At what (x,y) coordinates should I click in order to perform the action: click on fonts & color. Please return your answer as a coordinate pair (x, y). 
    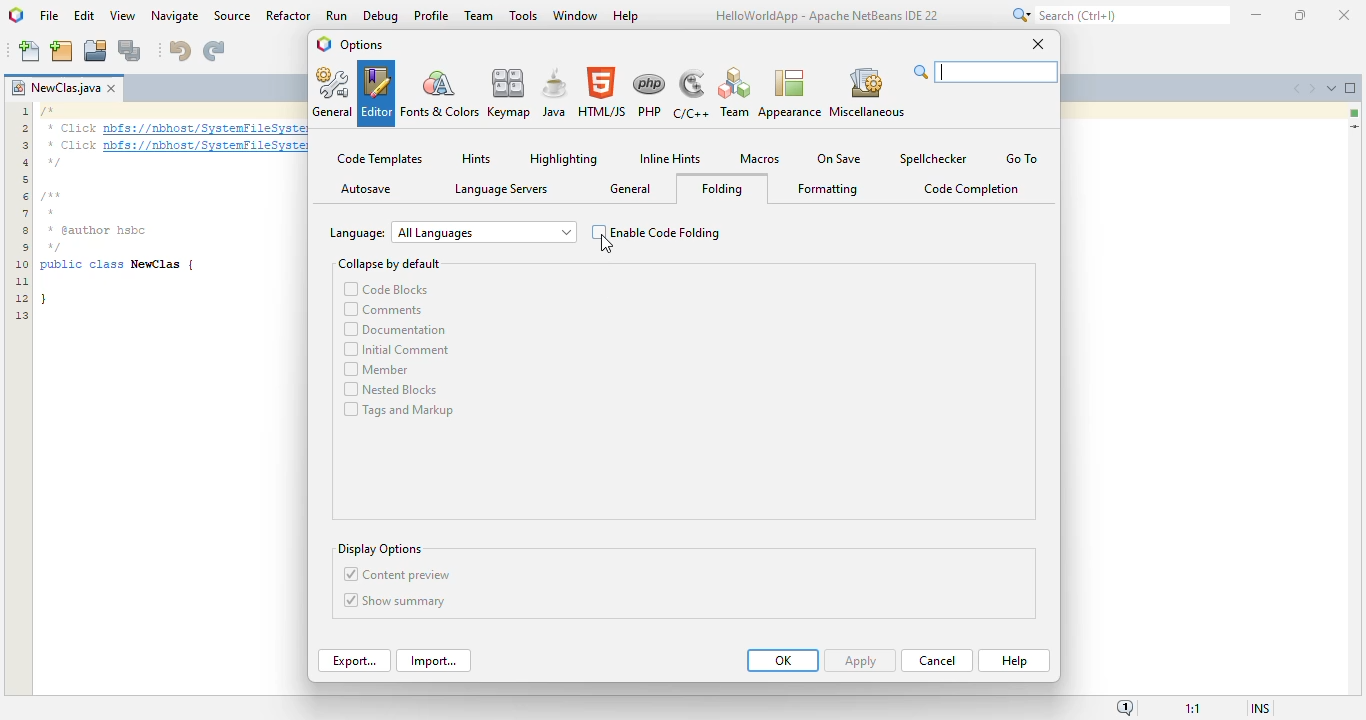
    Looking at the image, I should click on (440, 91).